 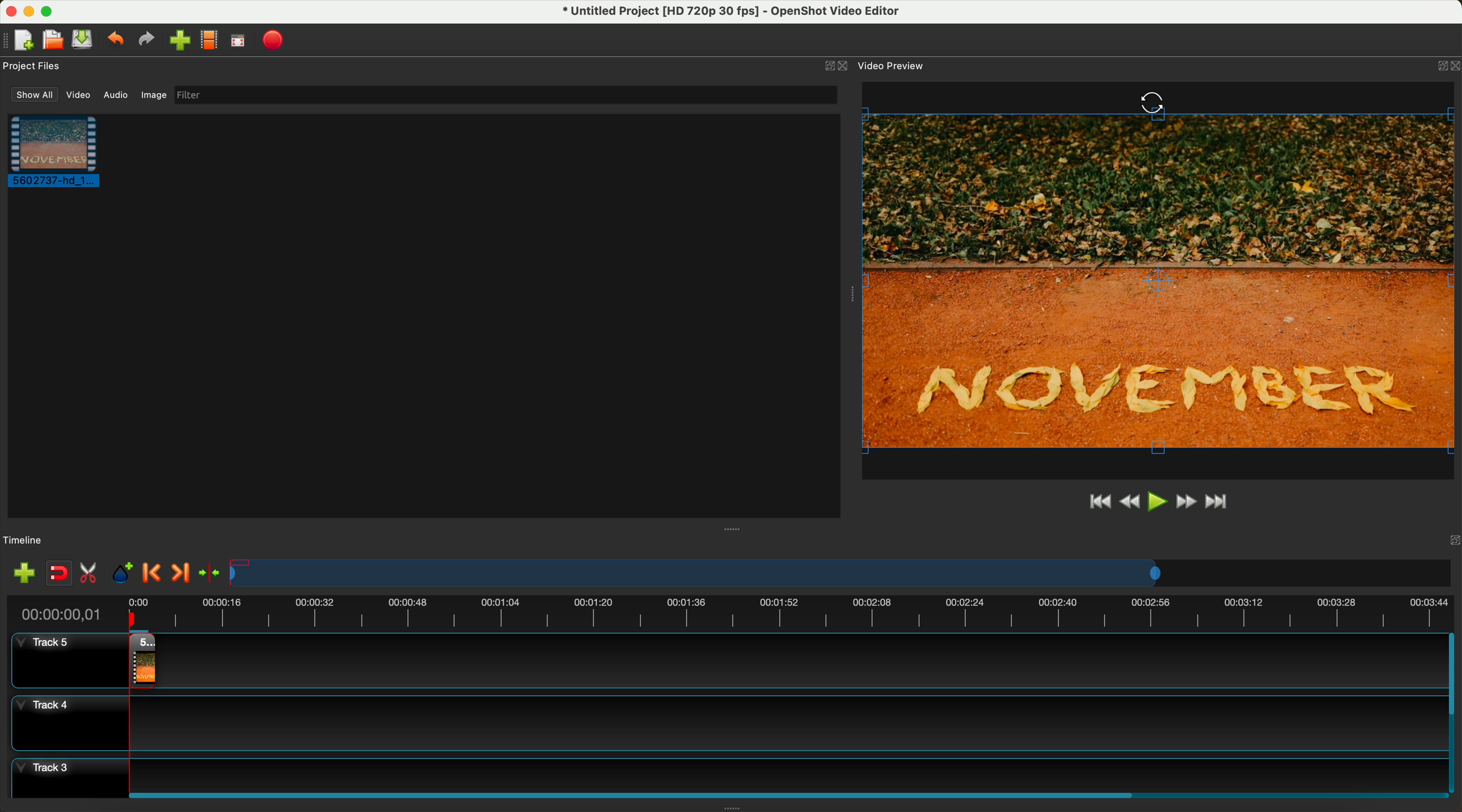 I want to click on filter, so click(x=505, y=95).